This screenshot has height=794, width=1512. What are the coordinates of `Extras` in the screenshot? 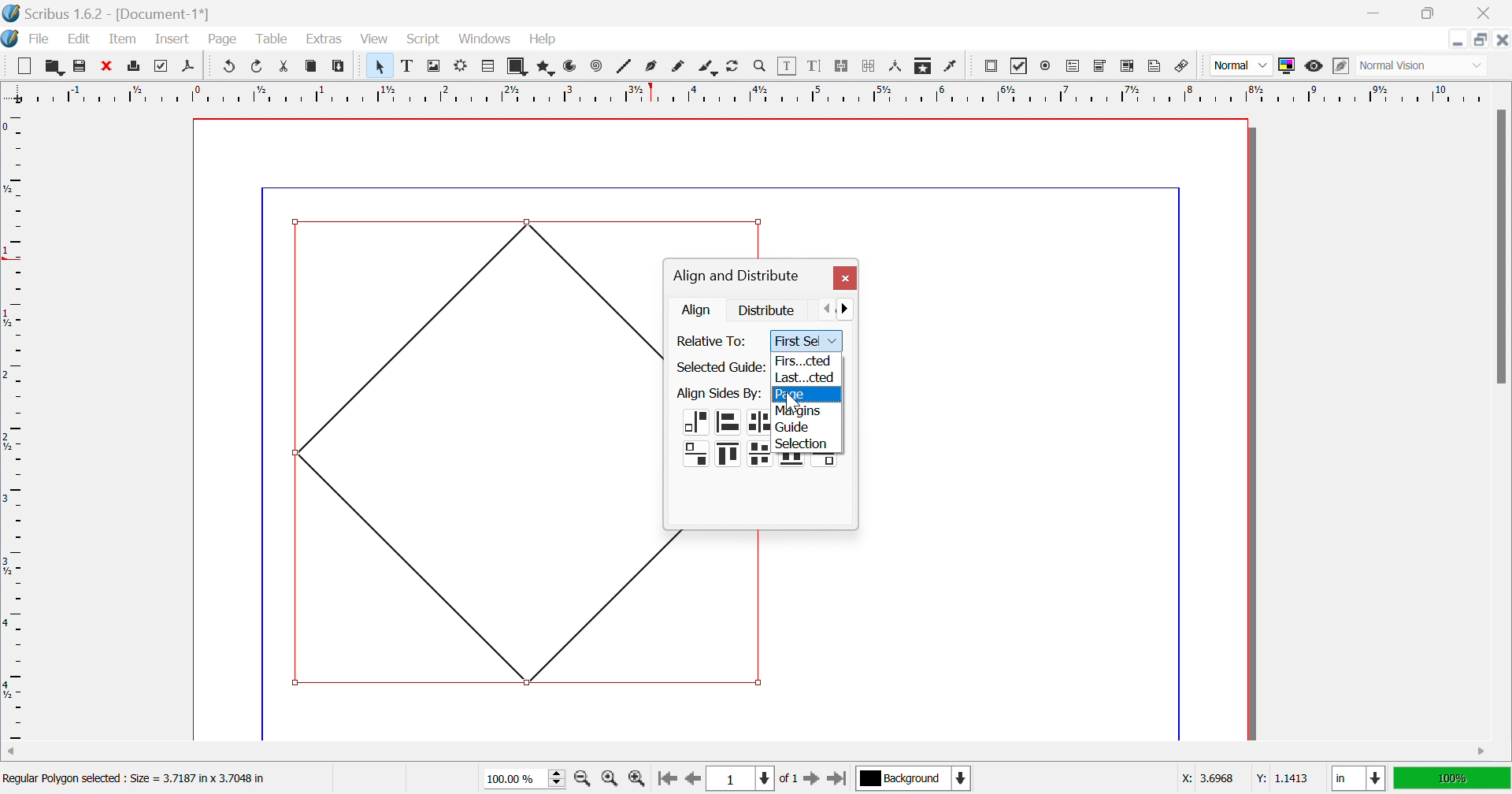 It's located at (324, 39).